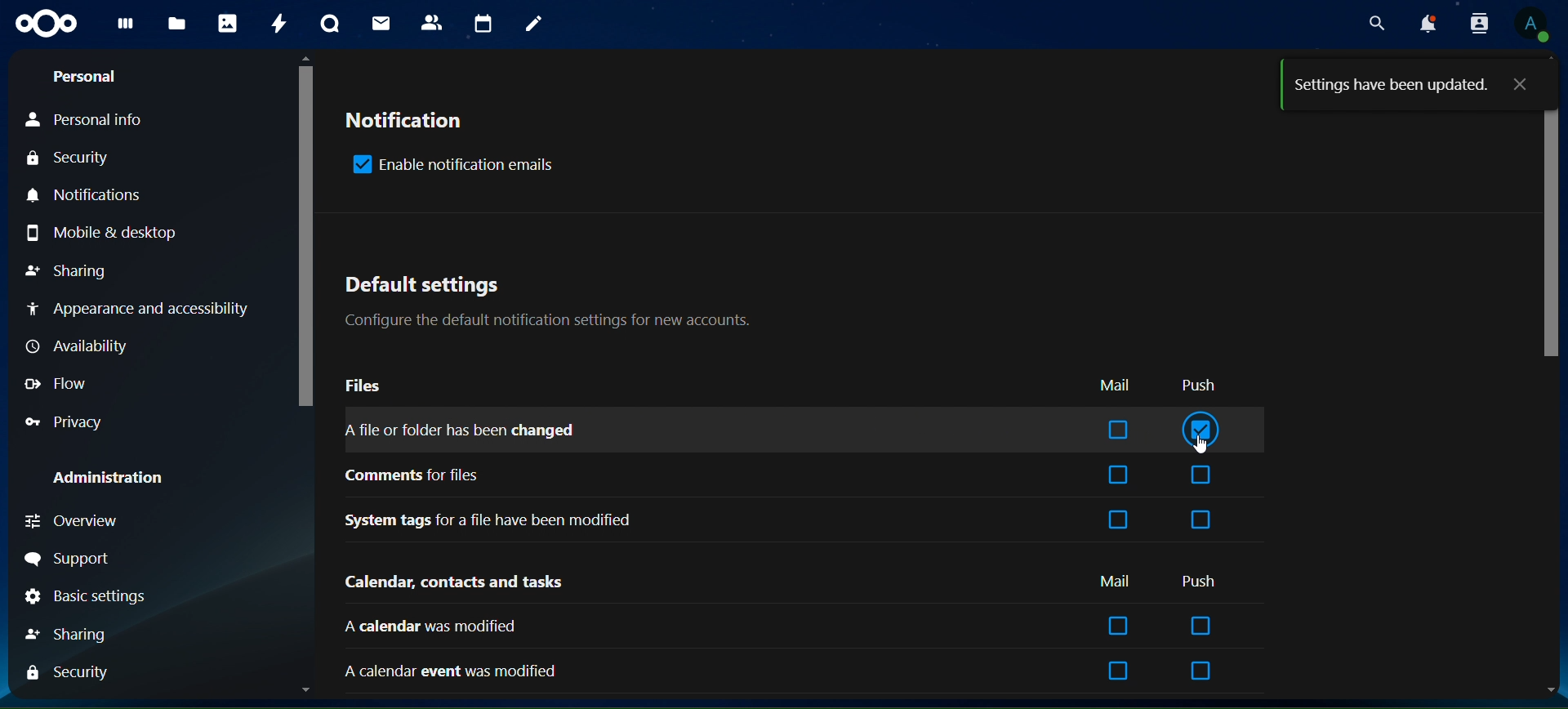 The height and width of the screenshot is (709, 1568). What do you see at coordinates (95, 519) in the screenshot?
I see `overview` at bounding box center [95, 519].